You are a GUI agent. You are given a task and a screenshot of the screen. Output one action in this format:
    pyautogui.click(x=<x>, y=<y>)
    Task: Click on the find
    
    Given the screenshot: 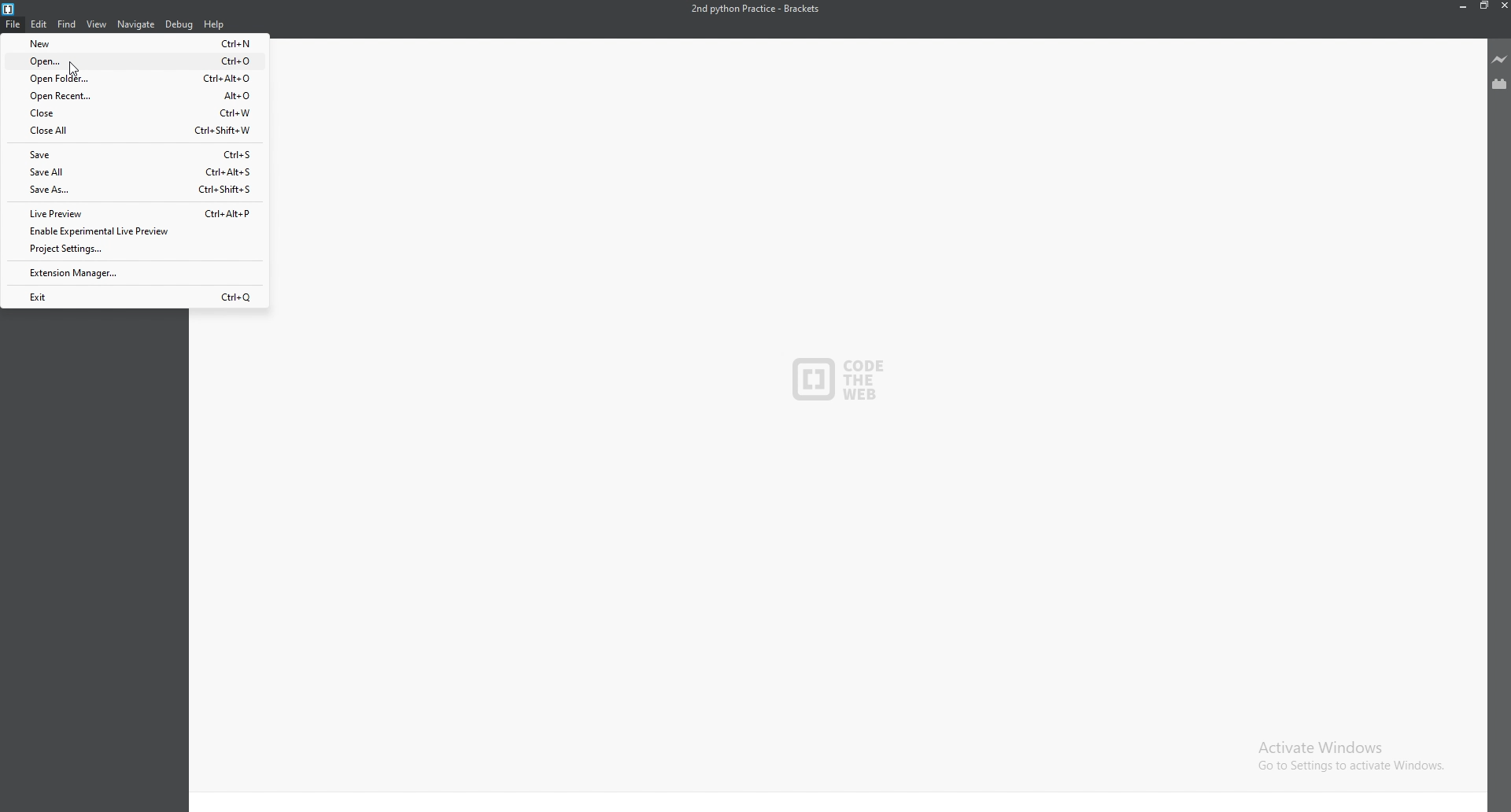 What is the action you would take?
    pyautogui.click(x=67, y=24)
    